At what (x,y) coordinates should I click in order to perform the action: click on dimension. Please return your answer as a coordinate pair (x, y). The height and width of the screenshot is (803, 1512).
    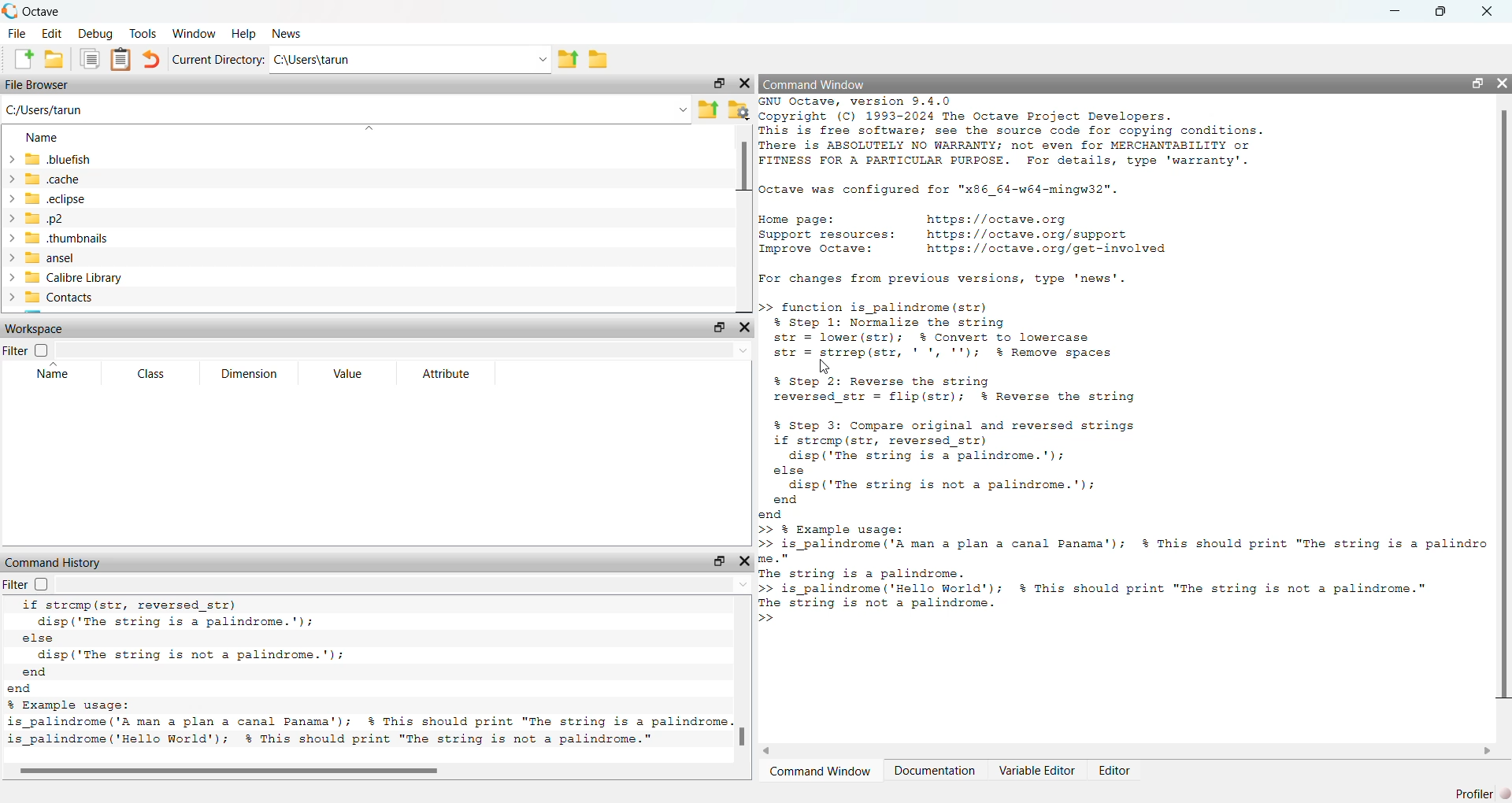
    Looking at the image, I should click on (248, 375).